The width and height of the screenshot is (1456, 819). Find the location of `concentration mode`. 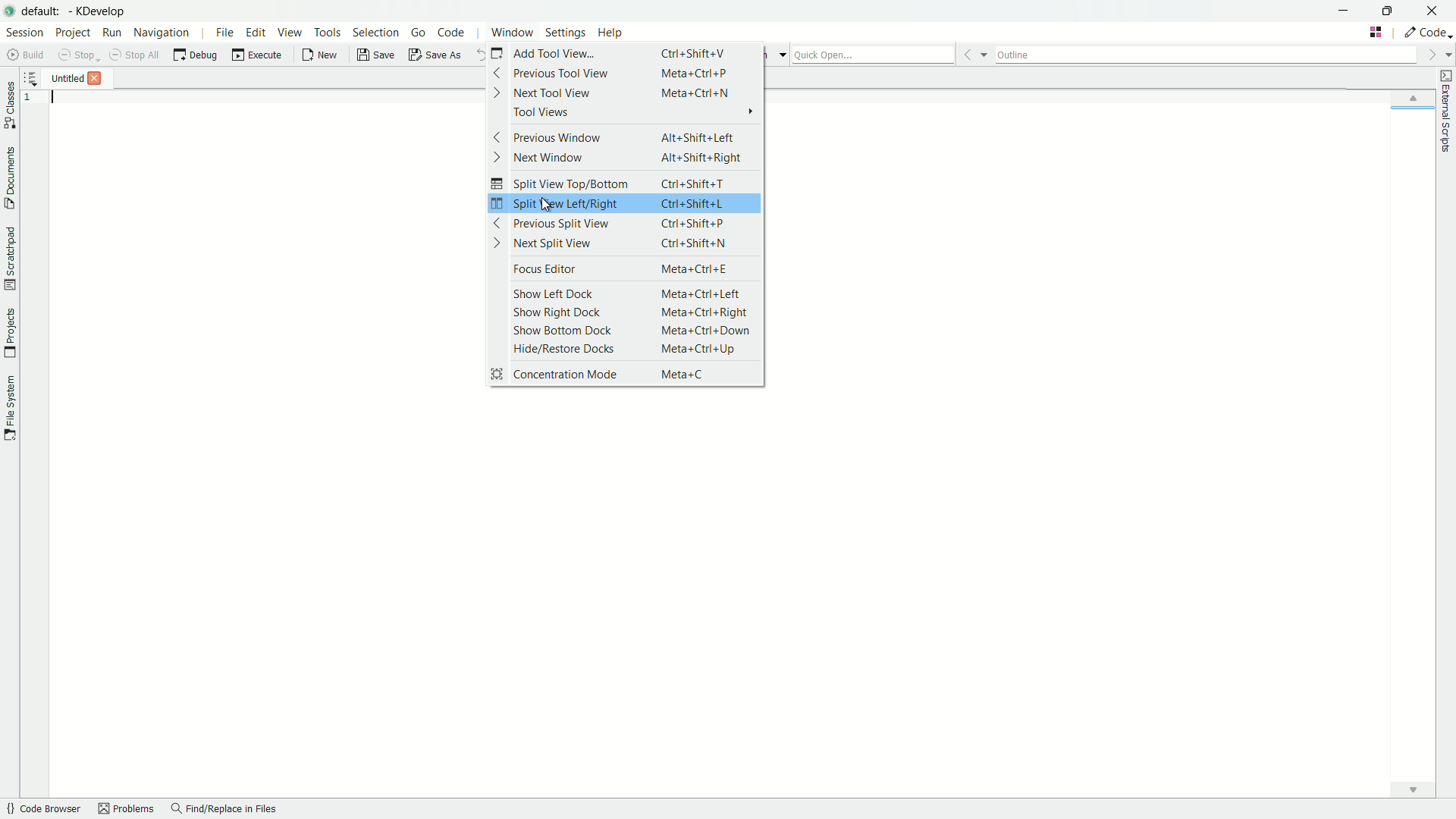

concentration mode is located at coordinates (557, 373).